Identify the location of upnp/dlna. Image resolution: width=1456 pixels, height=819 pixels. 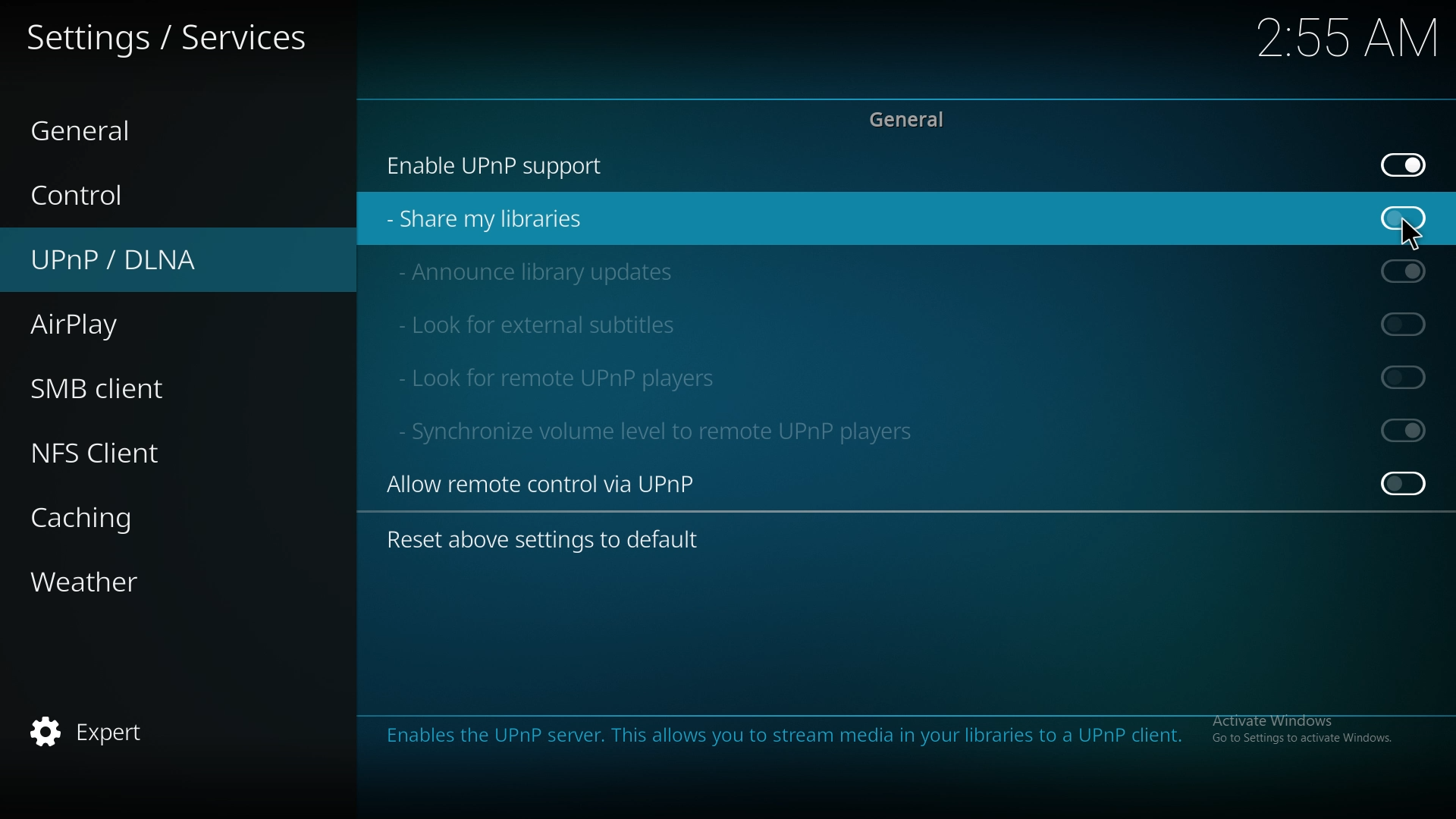
(141, 260).